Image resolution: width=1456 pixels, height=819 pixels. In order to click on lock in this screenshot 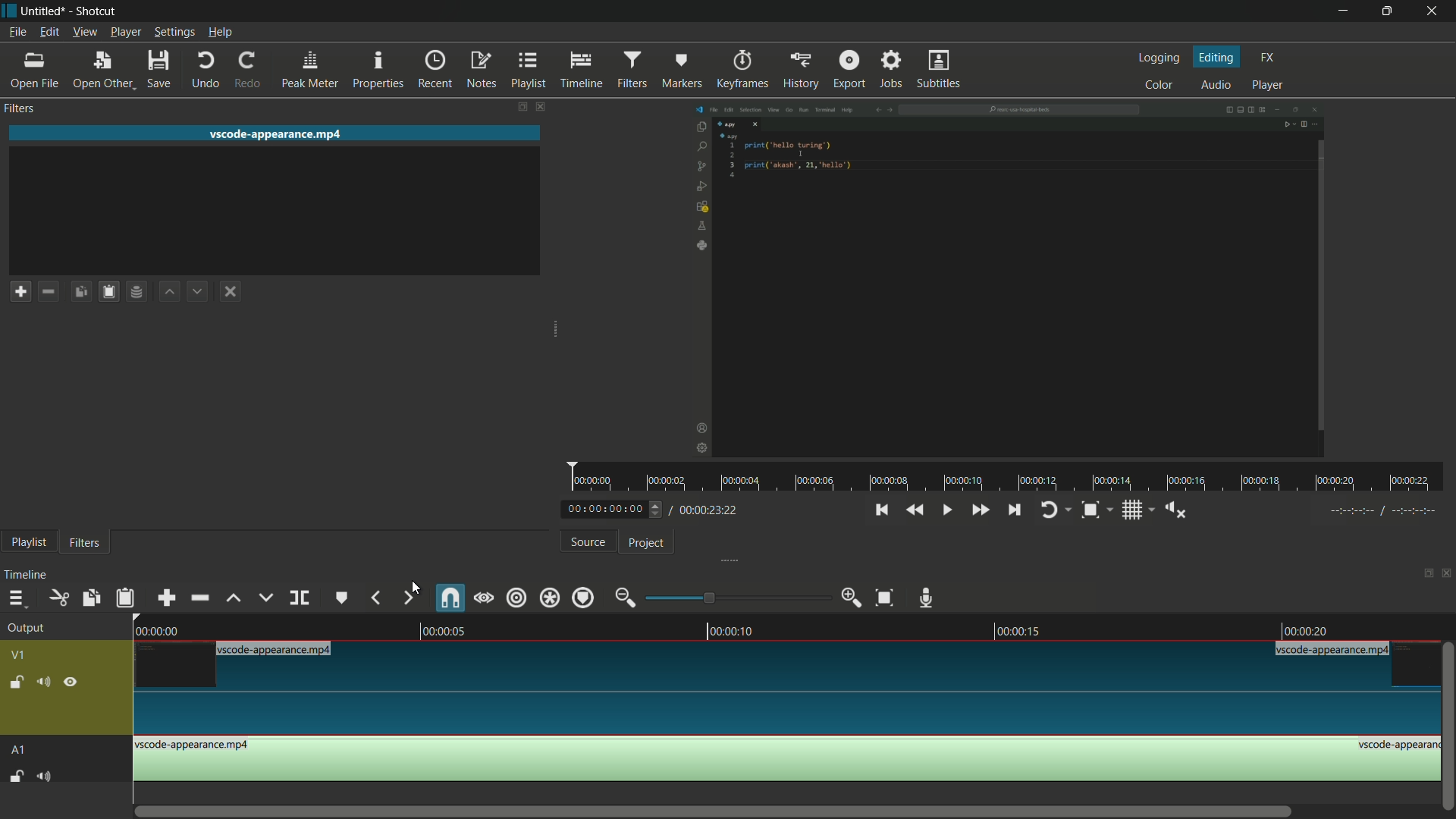, I will do `click(17, 777)`.